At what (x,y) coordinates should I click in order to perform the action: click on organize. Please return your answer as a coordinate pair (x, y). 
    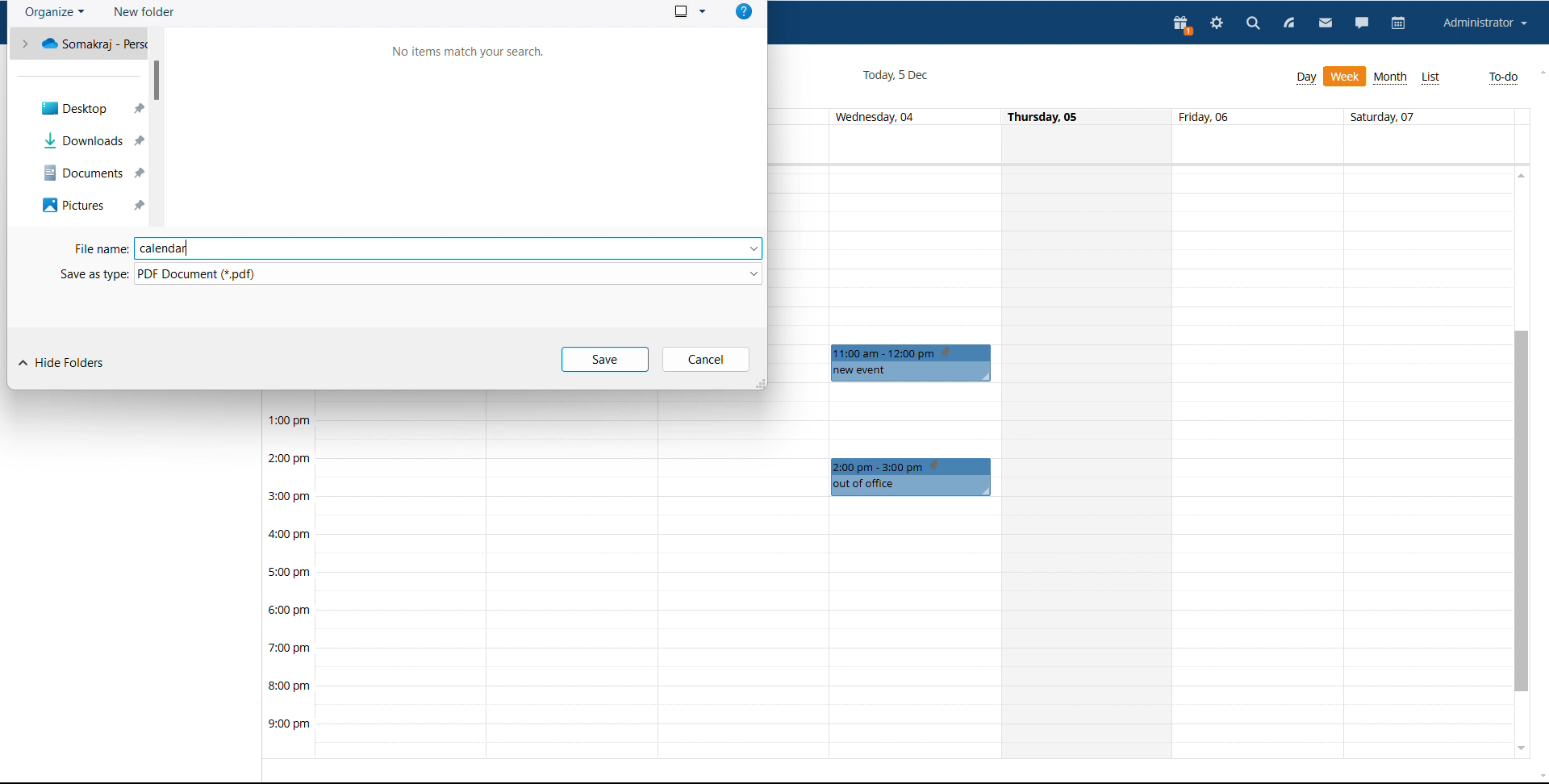
    Looking at the image, I should click on (55, 13).